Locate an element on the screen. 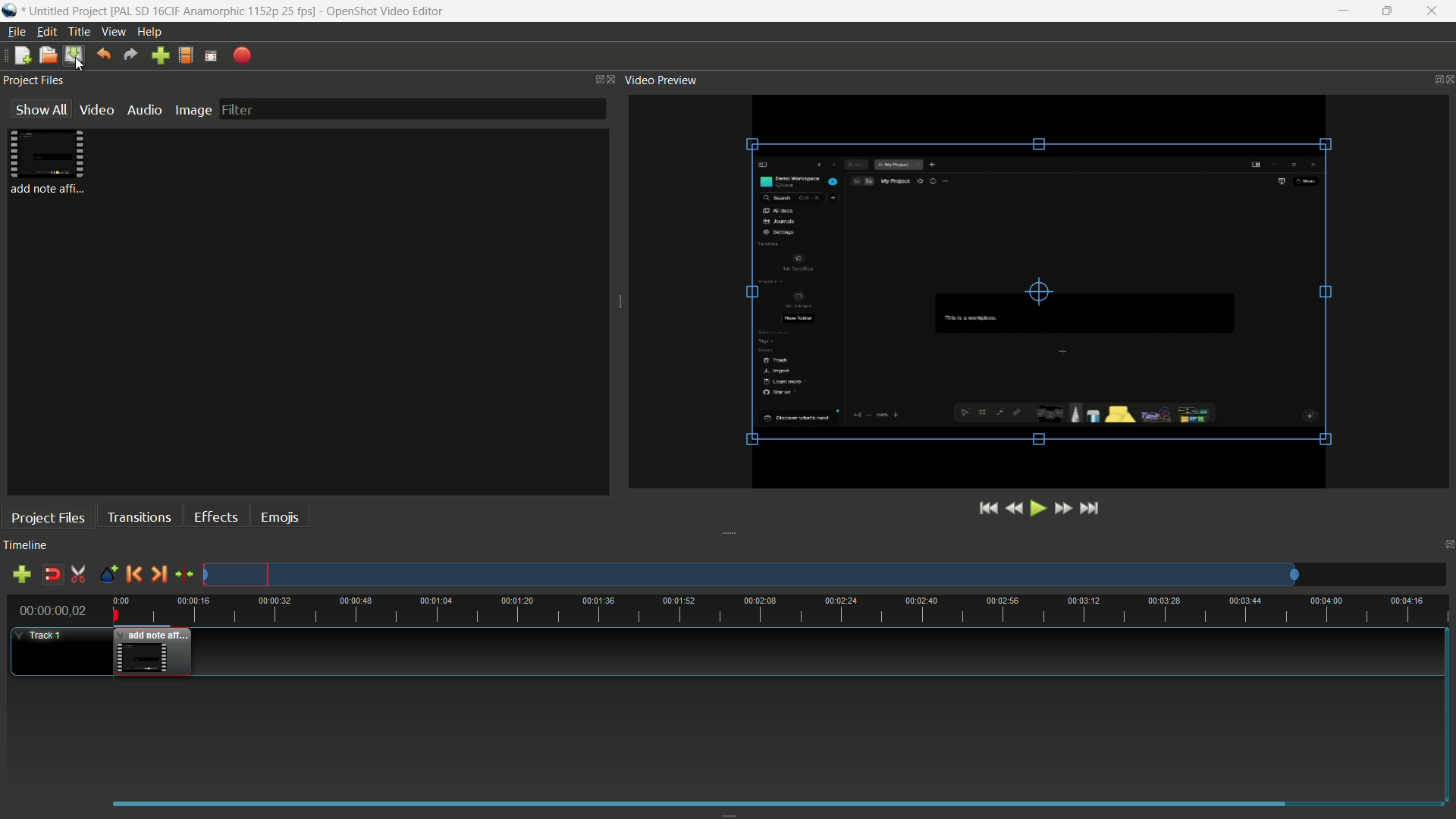  track preview is located at coordinates (750, 575).